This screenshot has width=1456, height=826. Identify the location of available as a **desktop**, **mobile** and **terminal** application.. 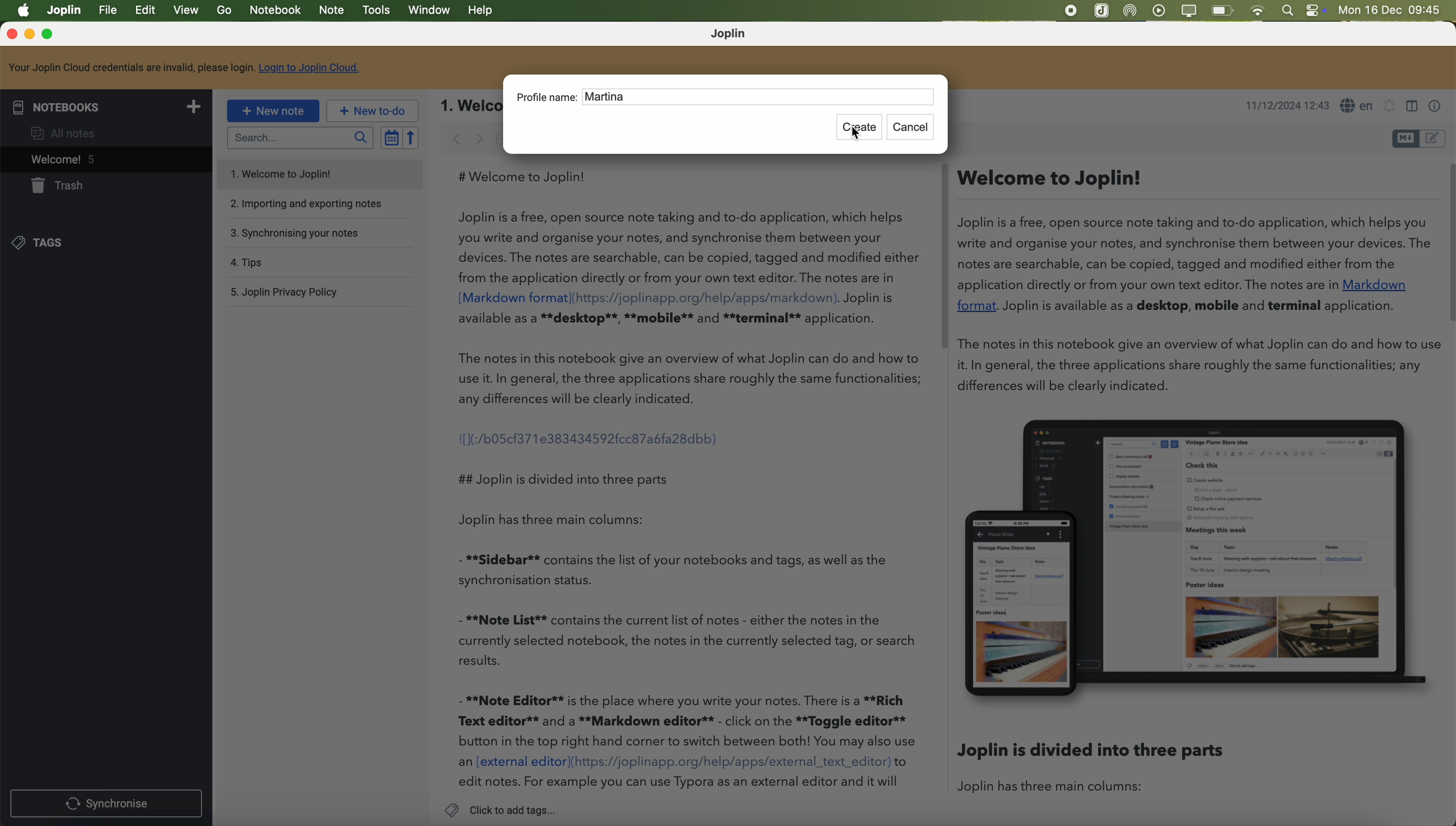
(670, 319).